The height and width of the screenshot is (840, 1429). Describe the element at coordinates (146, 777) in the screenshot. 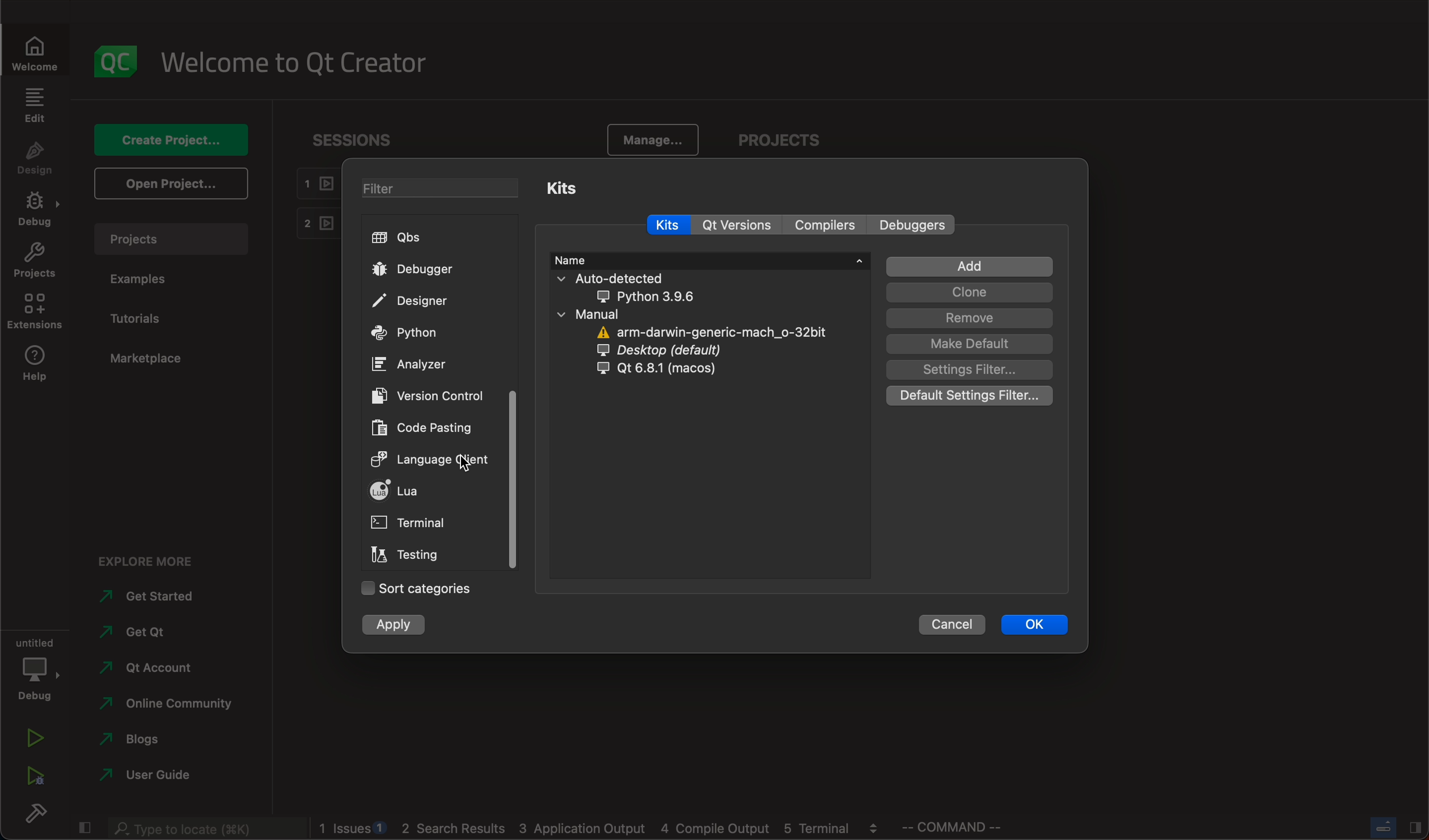

I see `guide` at that location.